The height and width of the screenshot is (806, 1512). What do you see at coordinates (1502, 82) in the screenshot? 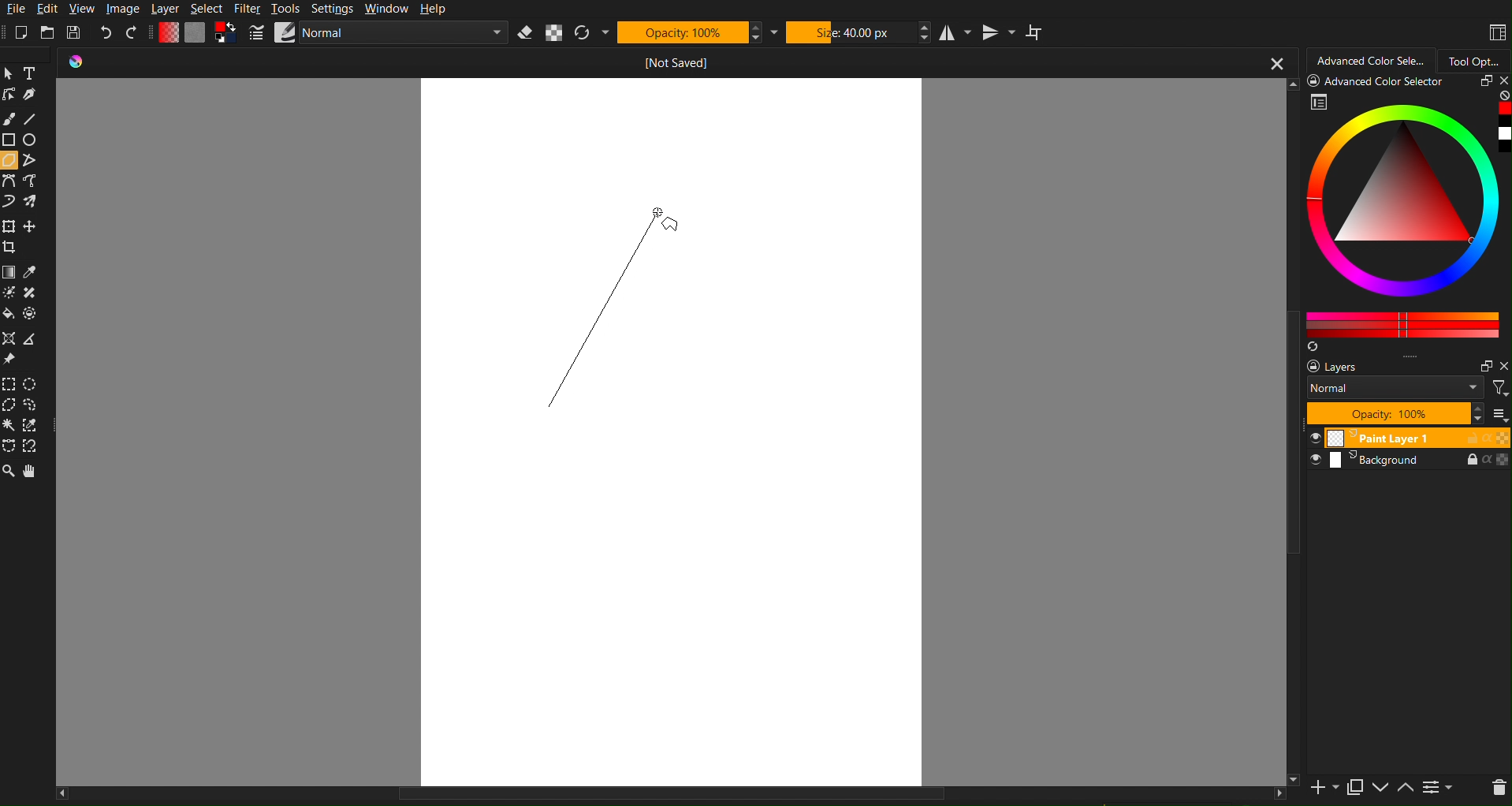
I see `close panel` at bounding box center [1502, 82].